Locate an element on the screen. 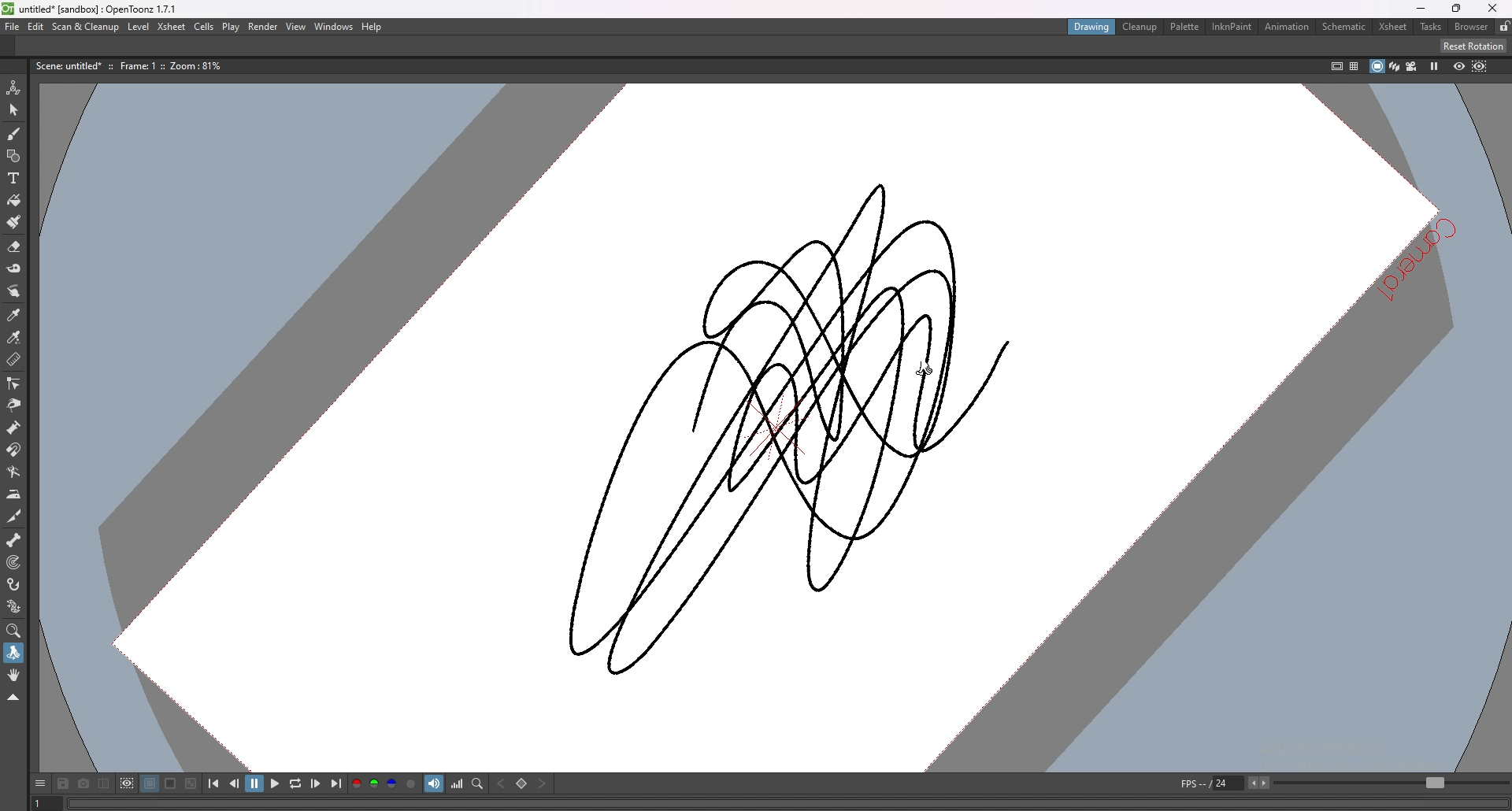  define sub camera is located at coordinates (128, 783).